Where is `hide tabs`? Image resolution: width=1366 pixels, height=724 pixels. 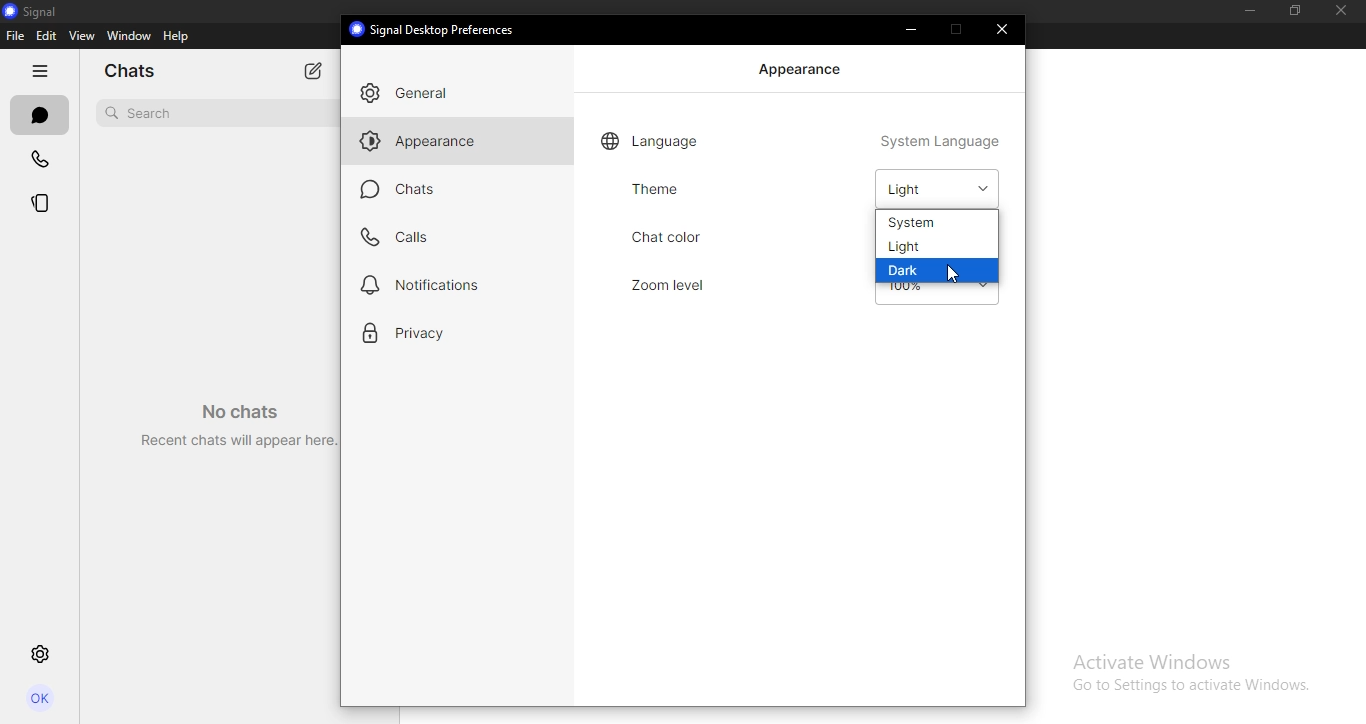
hide tabs is located at coordinates (40, 73).